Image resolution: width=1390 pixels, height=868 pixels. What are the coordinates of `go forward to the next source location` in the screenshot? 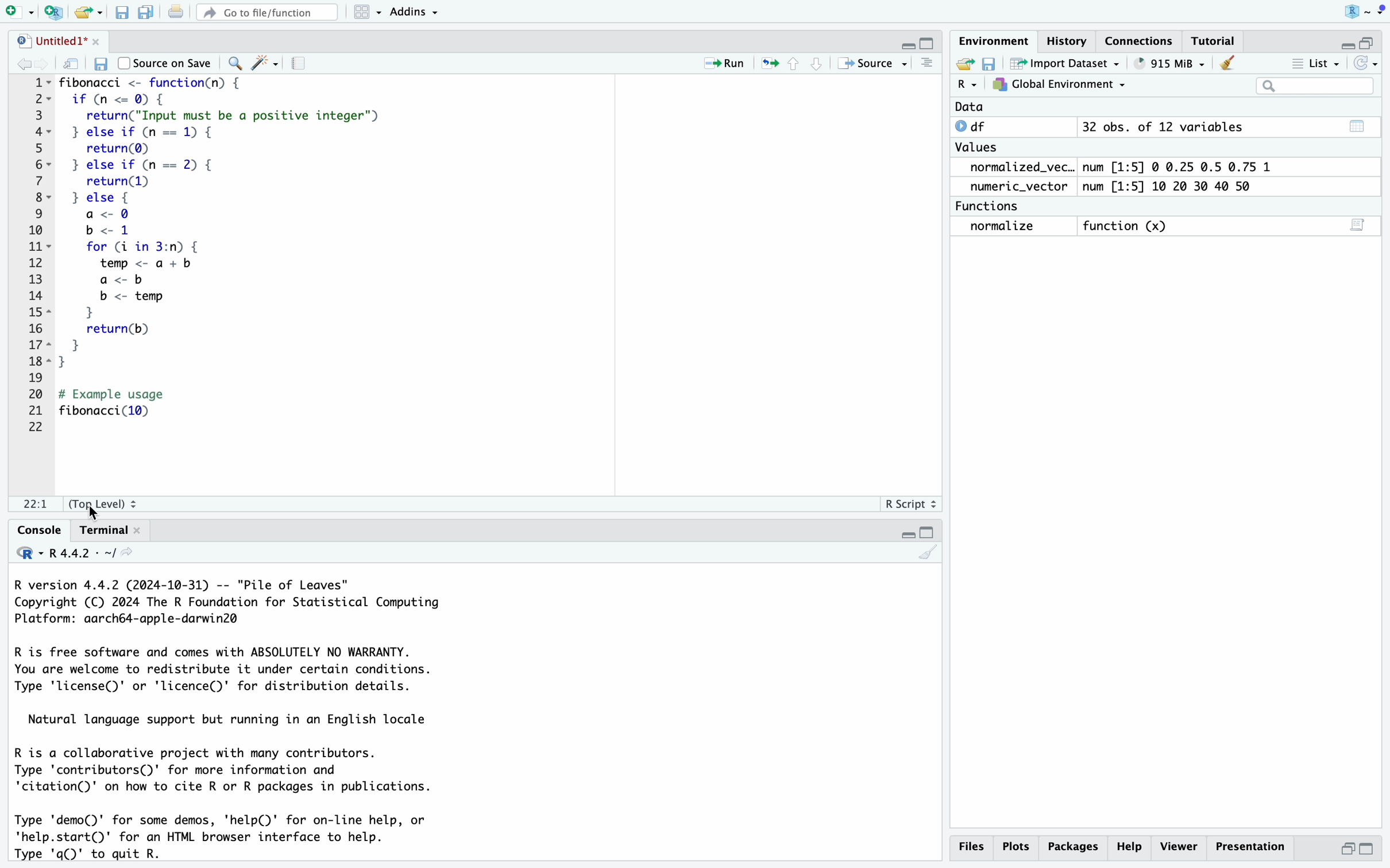 It's located at (43, 64).